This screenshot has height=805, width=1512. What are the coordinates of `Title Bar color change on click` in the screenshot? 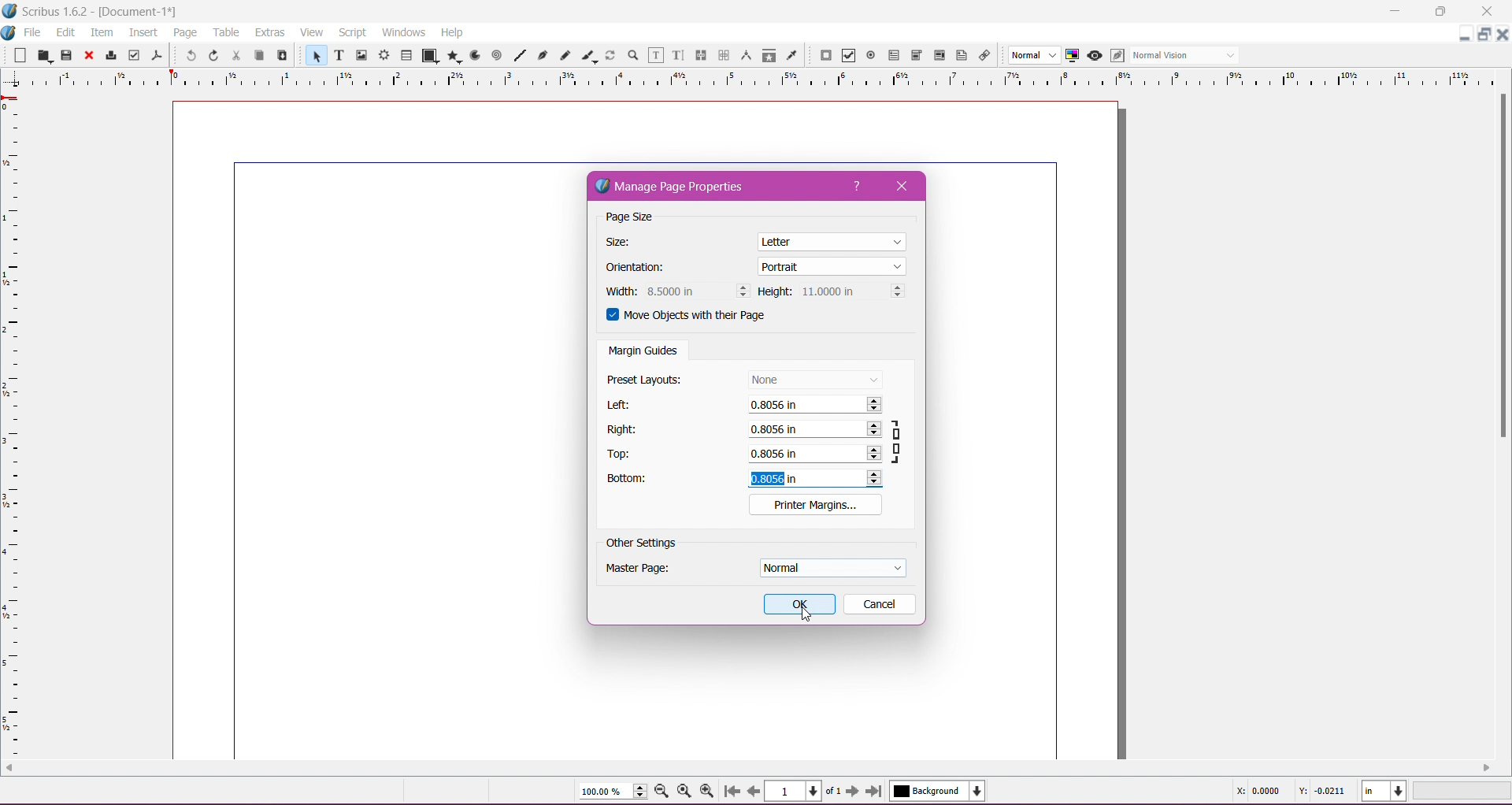 It's located at (776, 11).